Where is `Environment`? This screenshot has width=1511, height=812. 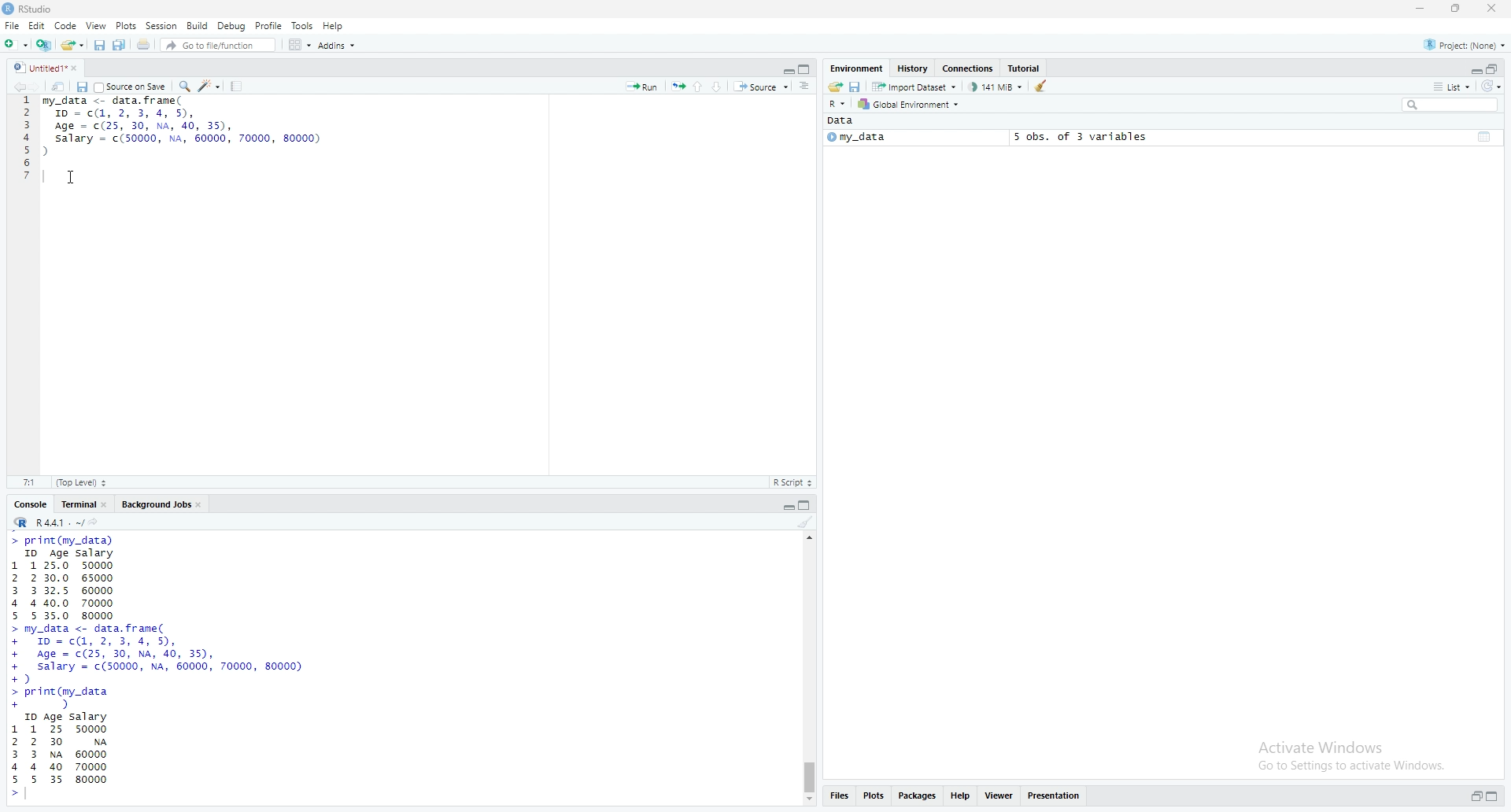 Environment is located at coordinates (858, 68).